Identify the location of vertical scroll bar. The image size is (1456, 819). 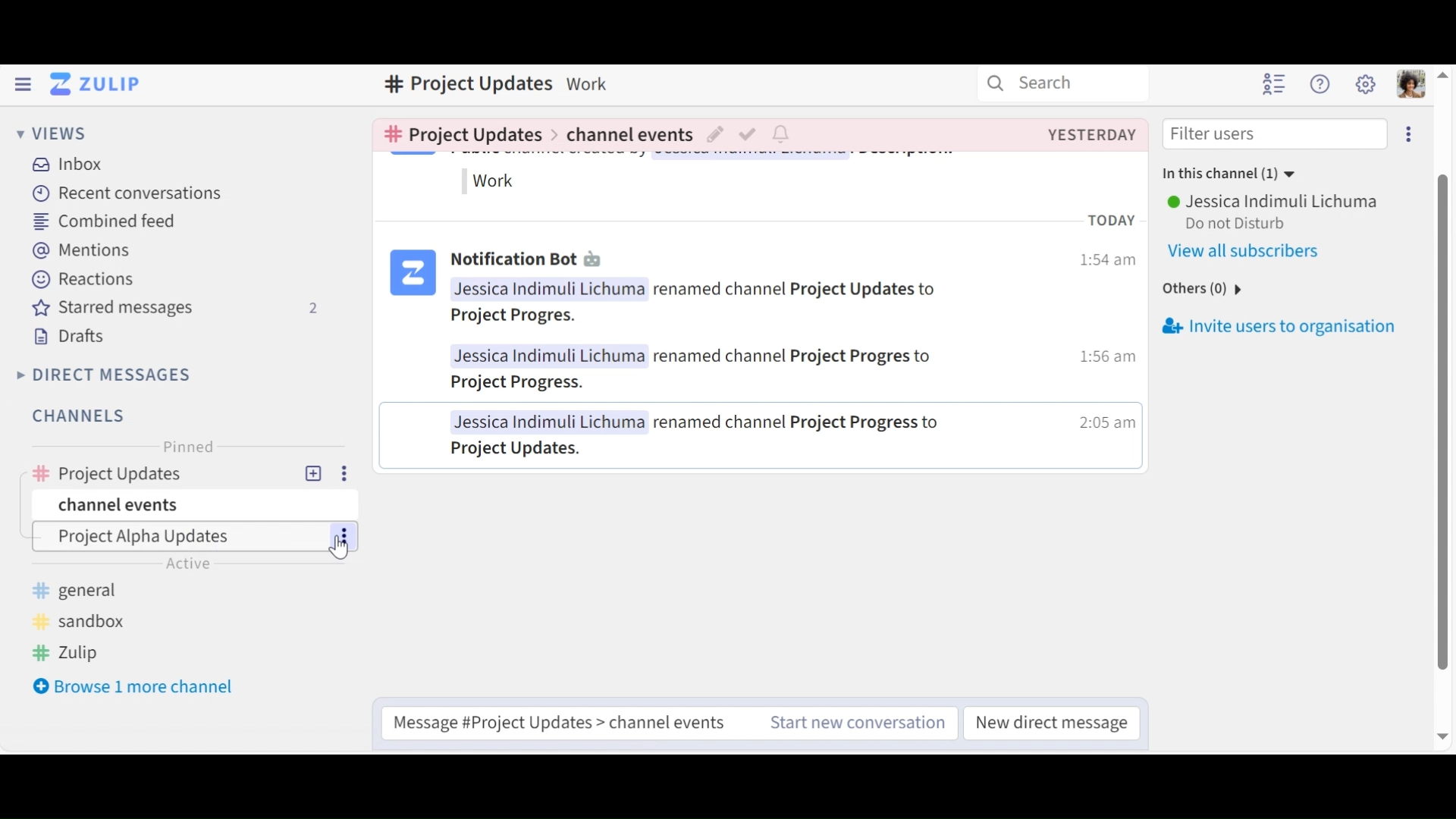
(1446, 422).